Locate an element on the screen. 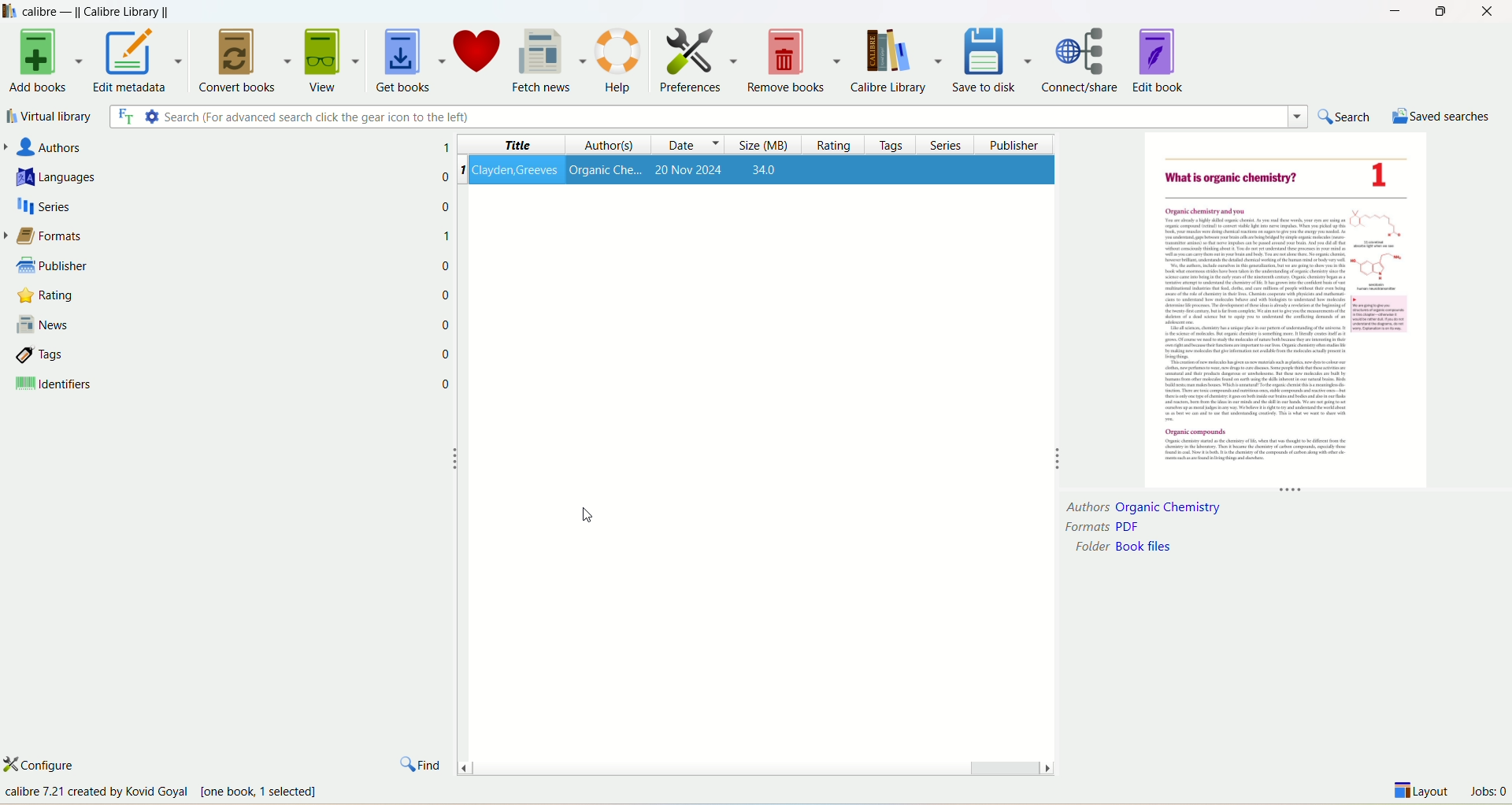  search is located at coordinates (1347, 117).